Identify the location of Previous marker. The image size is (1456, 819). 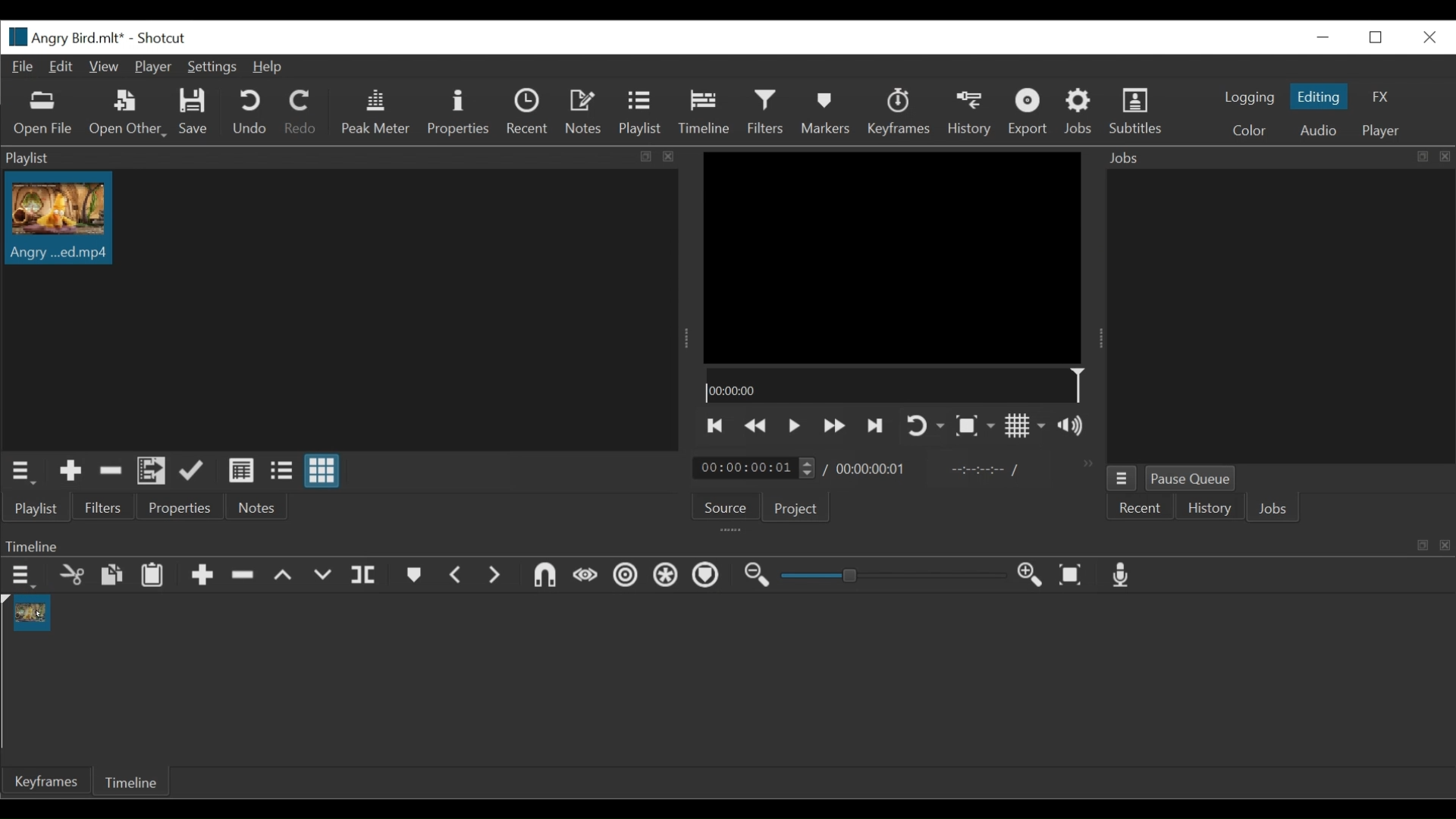
(457, 576).